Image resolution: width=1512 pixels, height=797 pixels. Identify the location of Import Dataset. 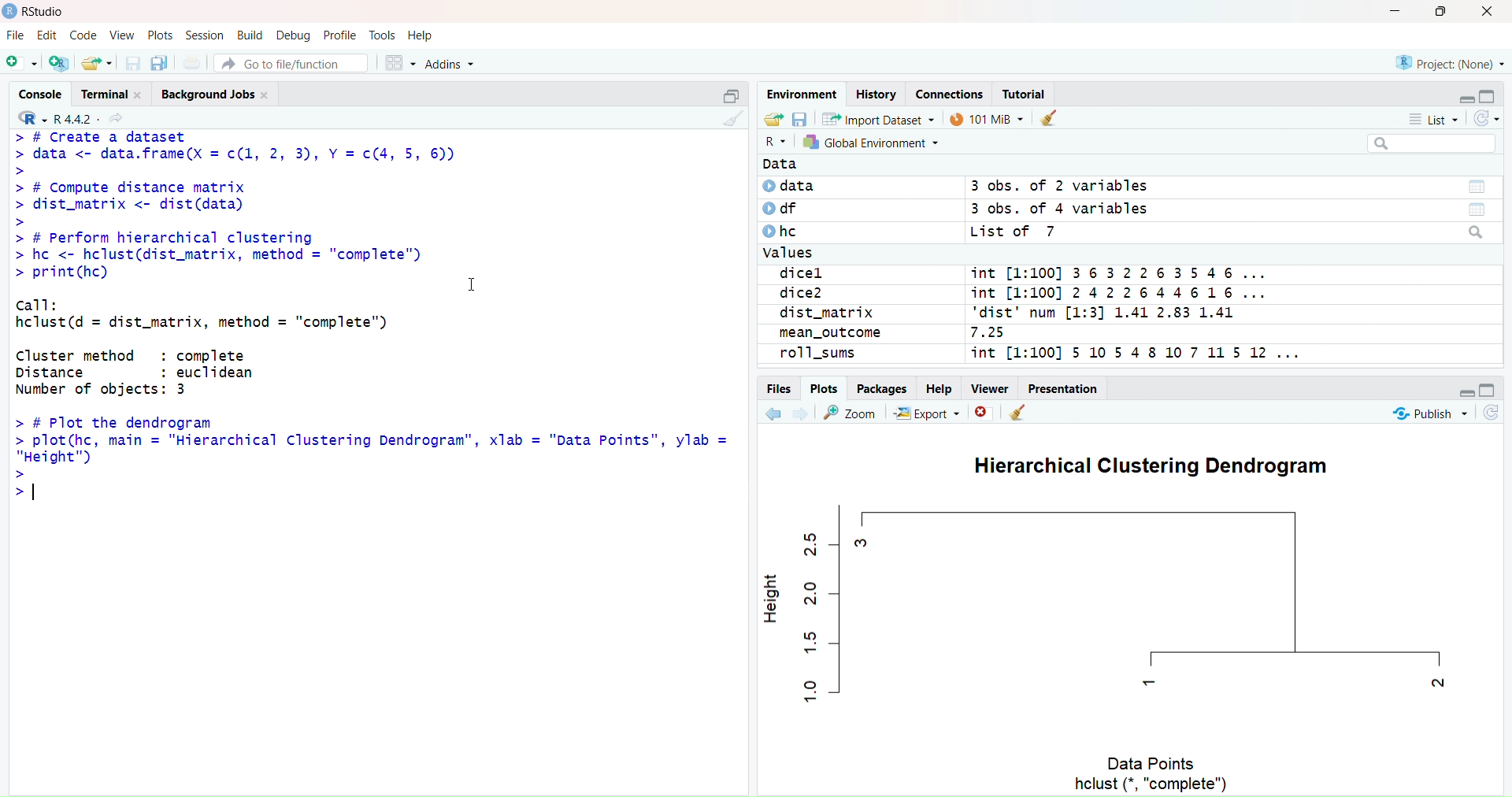
(882, 117).